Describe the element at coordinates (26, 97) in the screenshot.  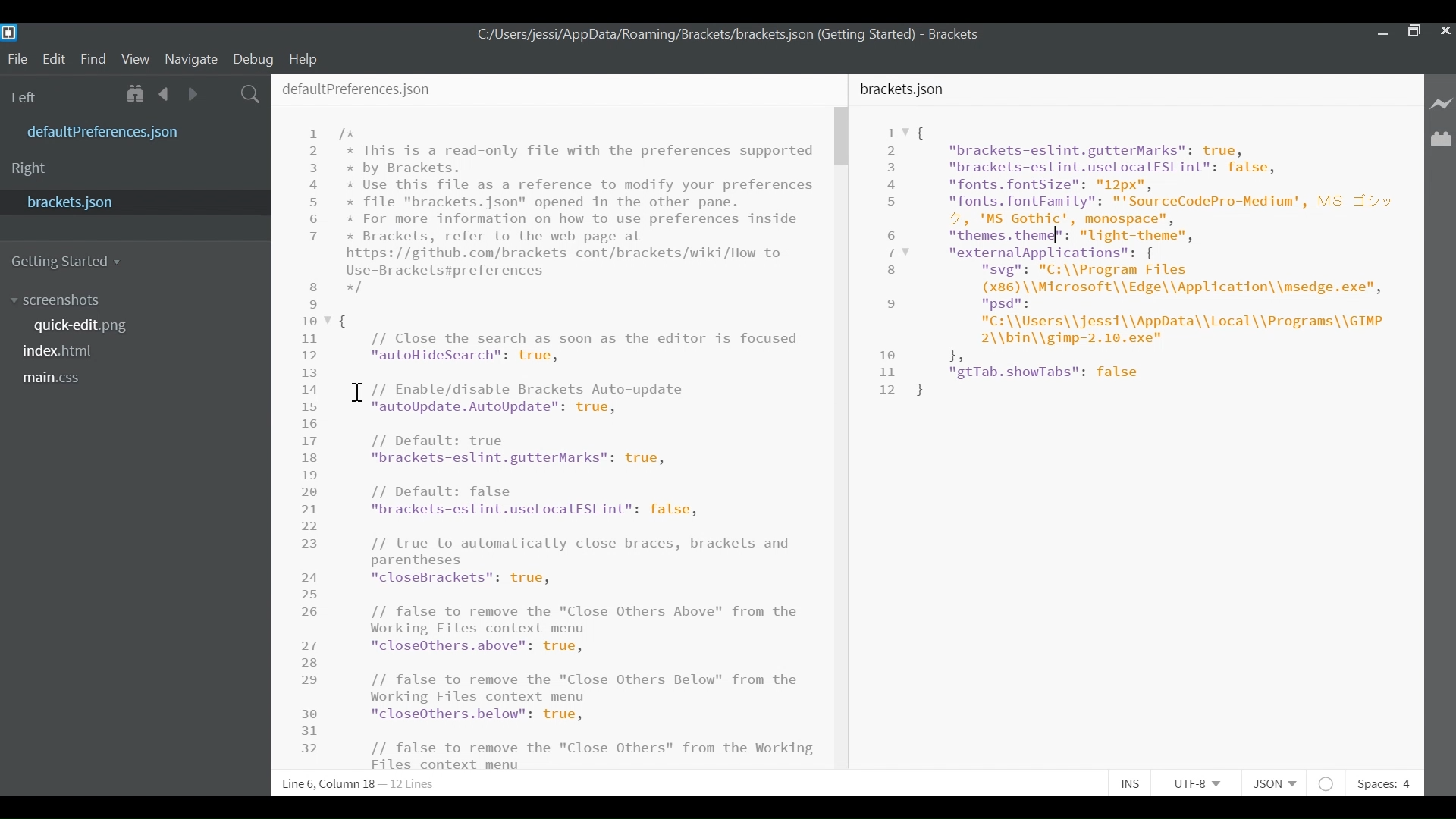
I see `Left` at that location.